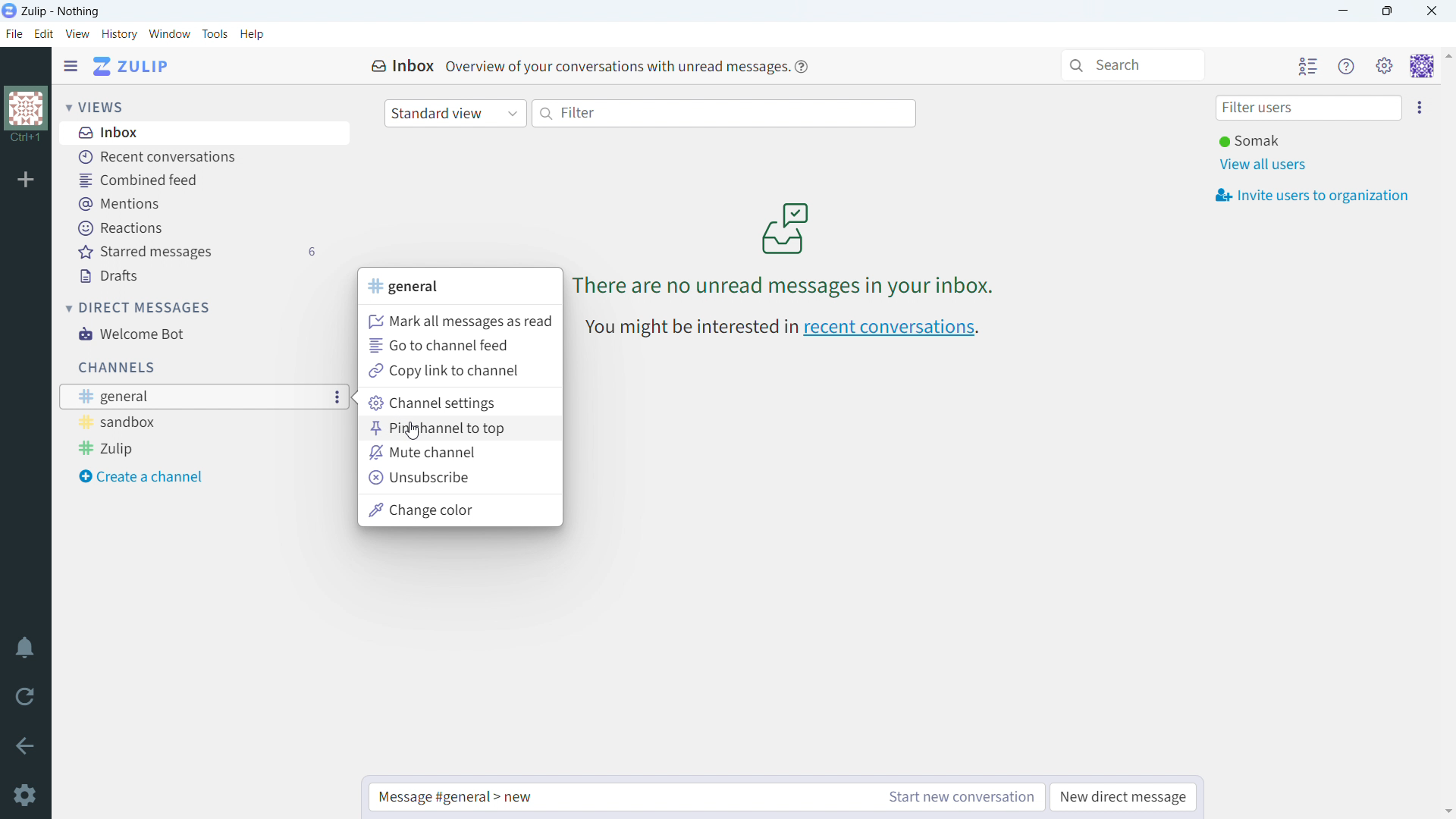 This screenshot has width=1456, height=819. Describe the element at coordinates (460, 428) in the screenshot. I see `pin cannel to top` at that location.